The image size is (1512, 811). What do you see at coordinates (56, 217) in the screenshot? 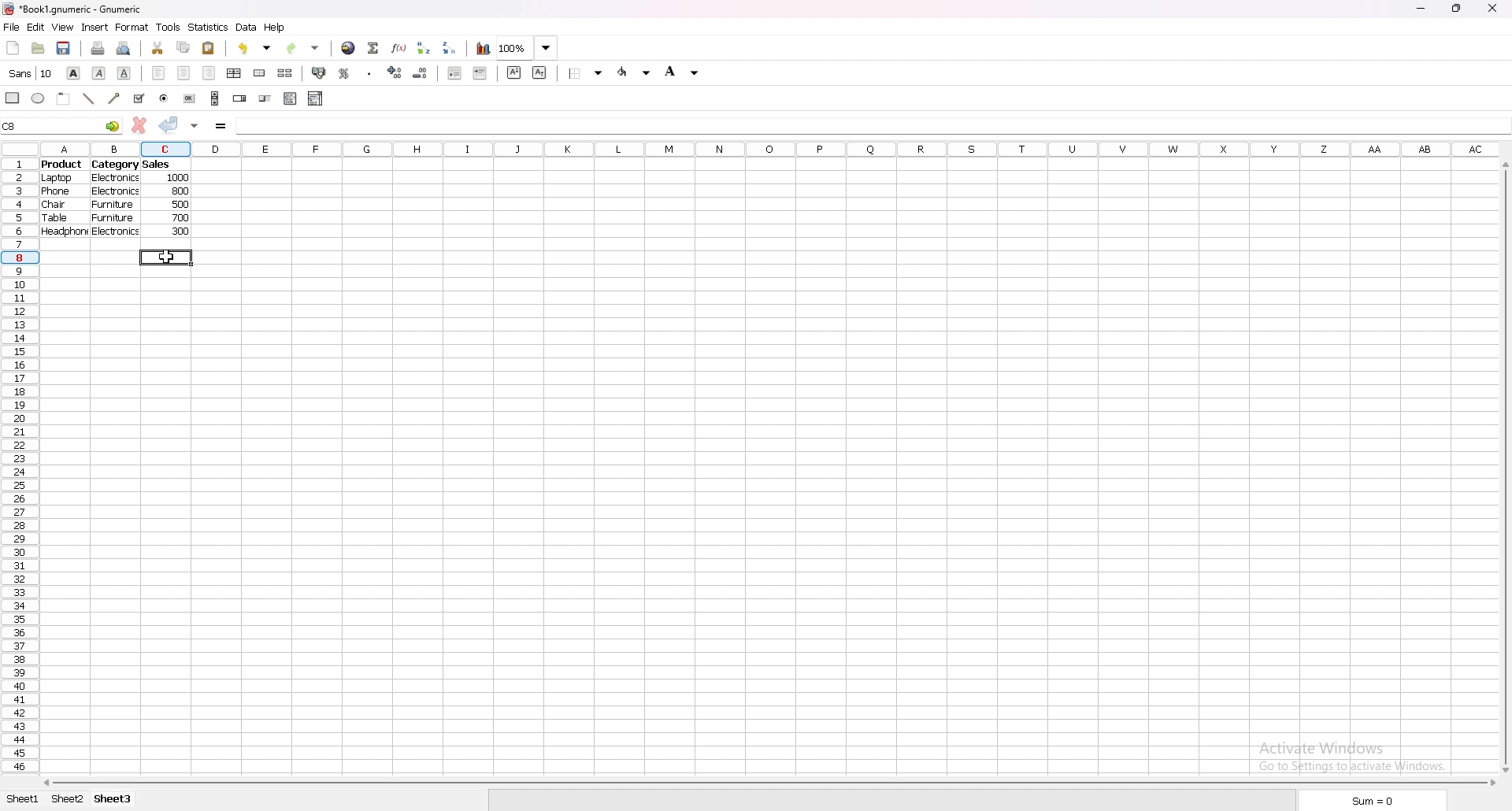
I see `table` at bounding box center [56, 217].